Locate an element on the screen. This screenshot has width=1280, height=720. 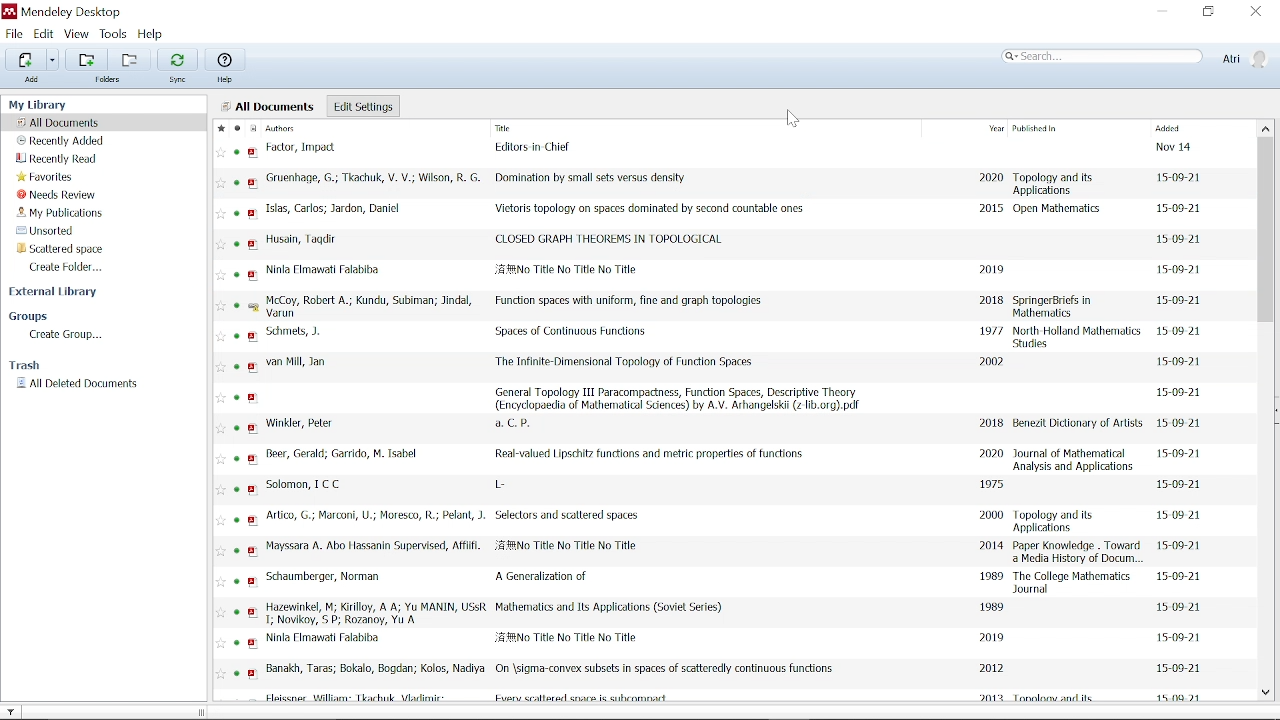
Profile is located at coordinates (1243, 58).